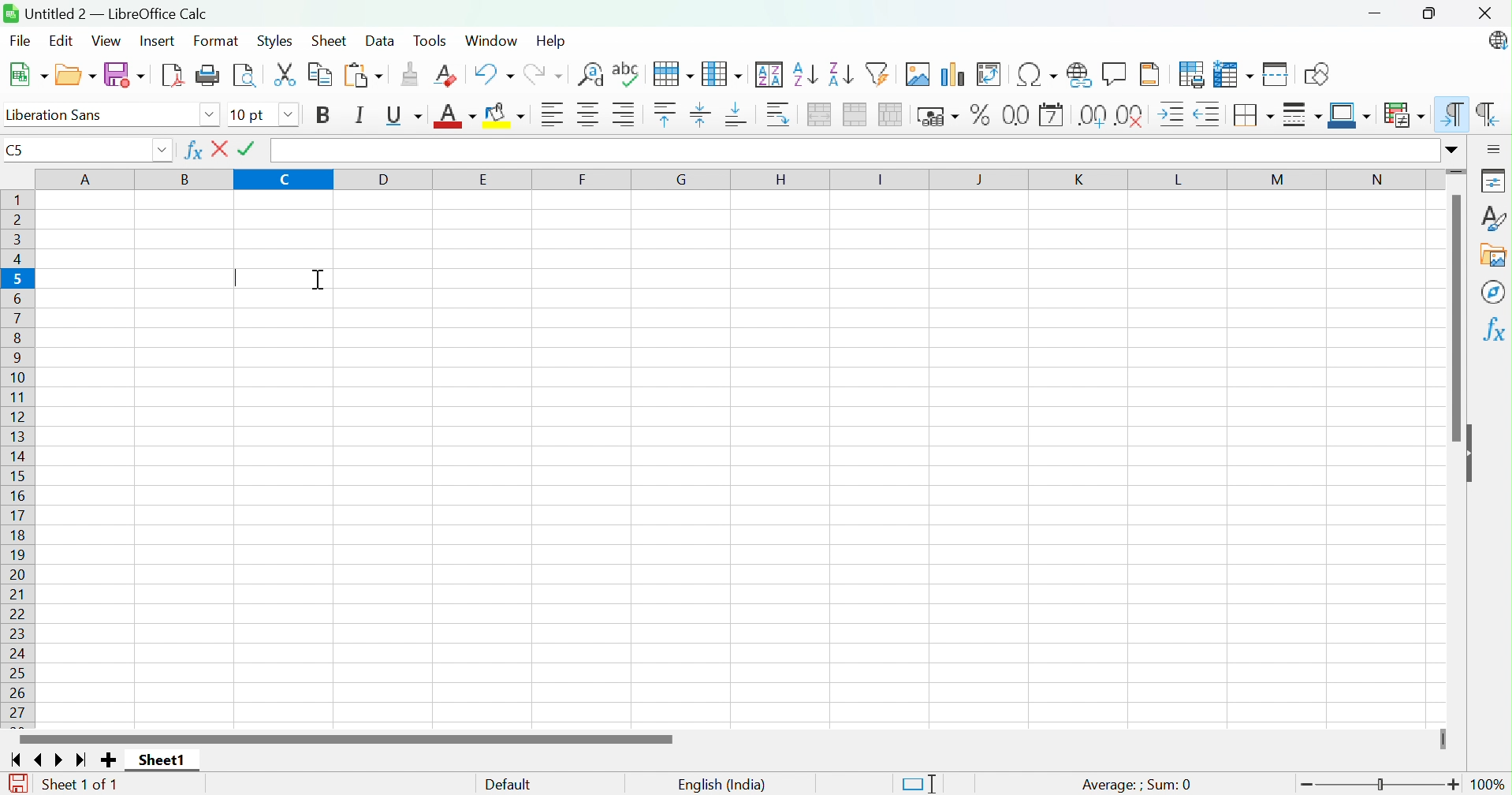 The height and width of the screenshot is (795, 1512). What do you see at coordinates (342, 739) in the screenshot?
I see `Scroll bar` at bounding box center [342, 739].